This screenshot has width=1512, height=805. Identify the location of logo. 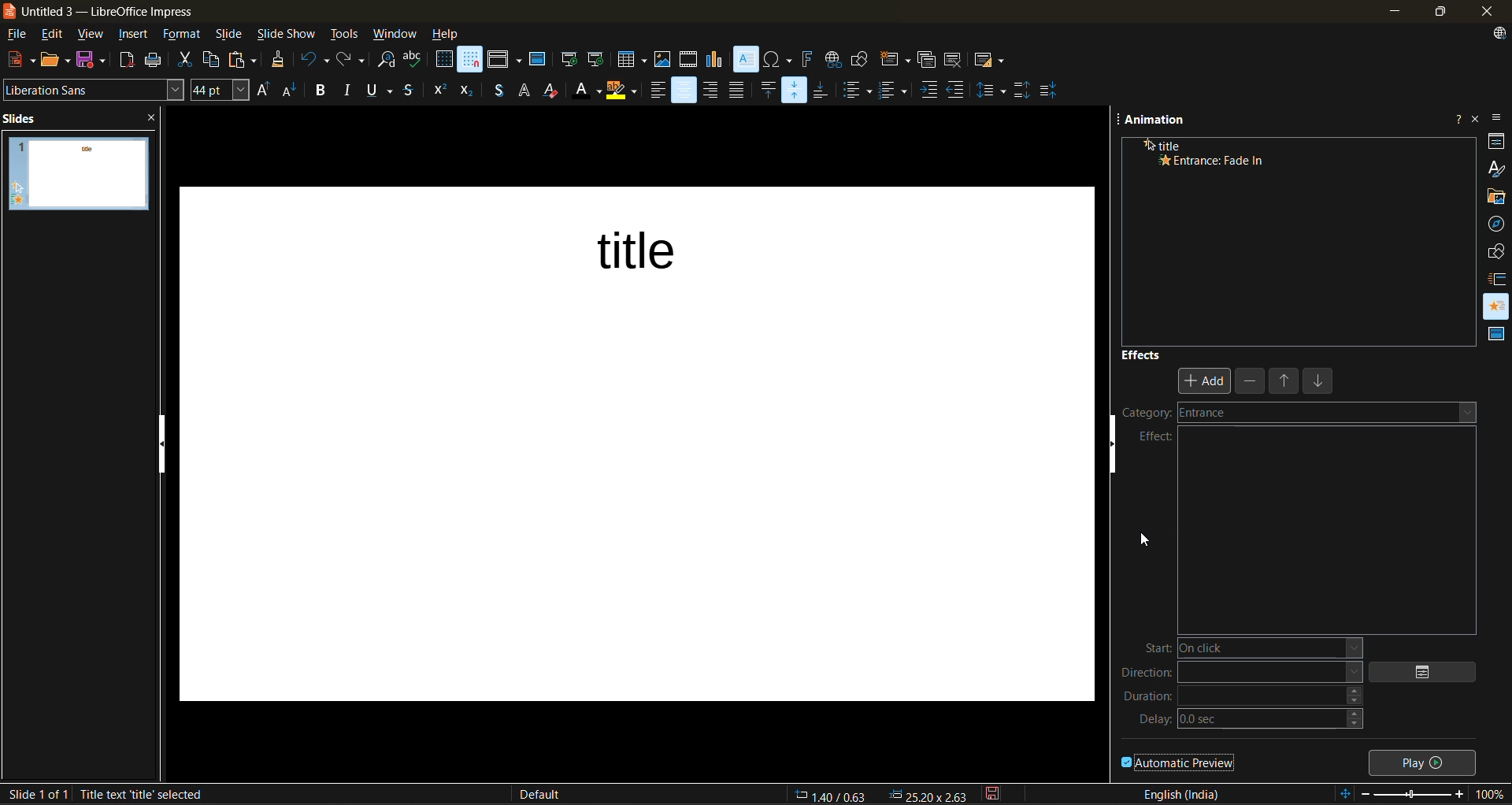
(9, 10).